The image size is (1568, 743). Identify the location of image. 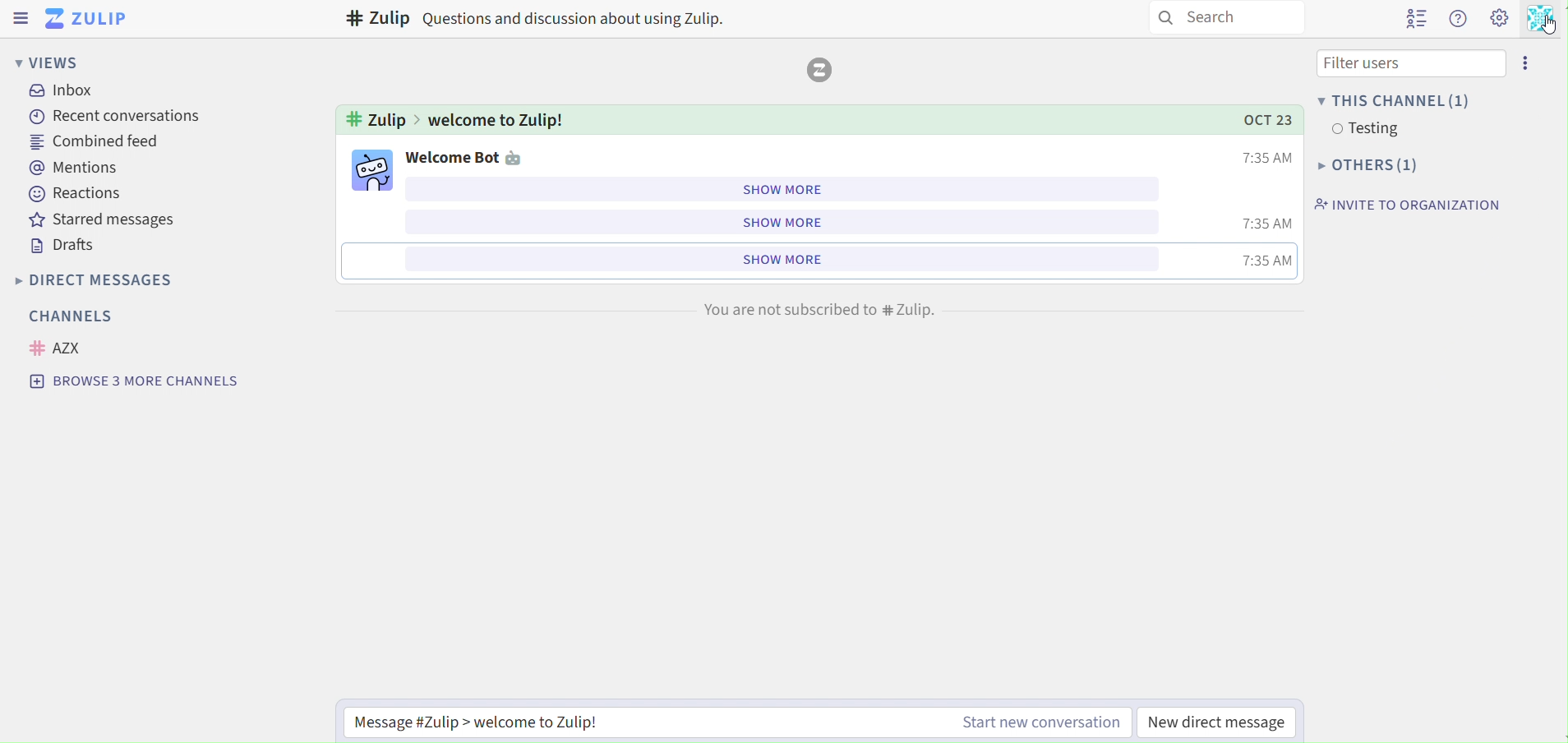
(370, 168).